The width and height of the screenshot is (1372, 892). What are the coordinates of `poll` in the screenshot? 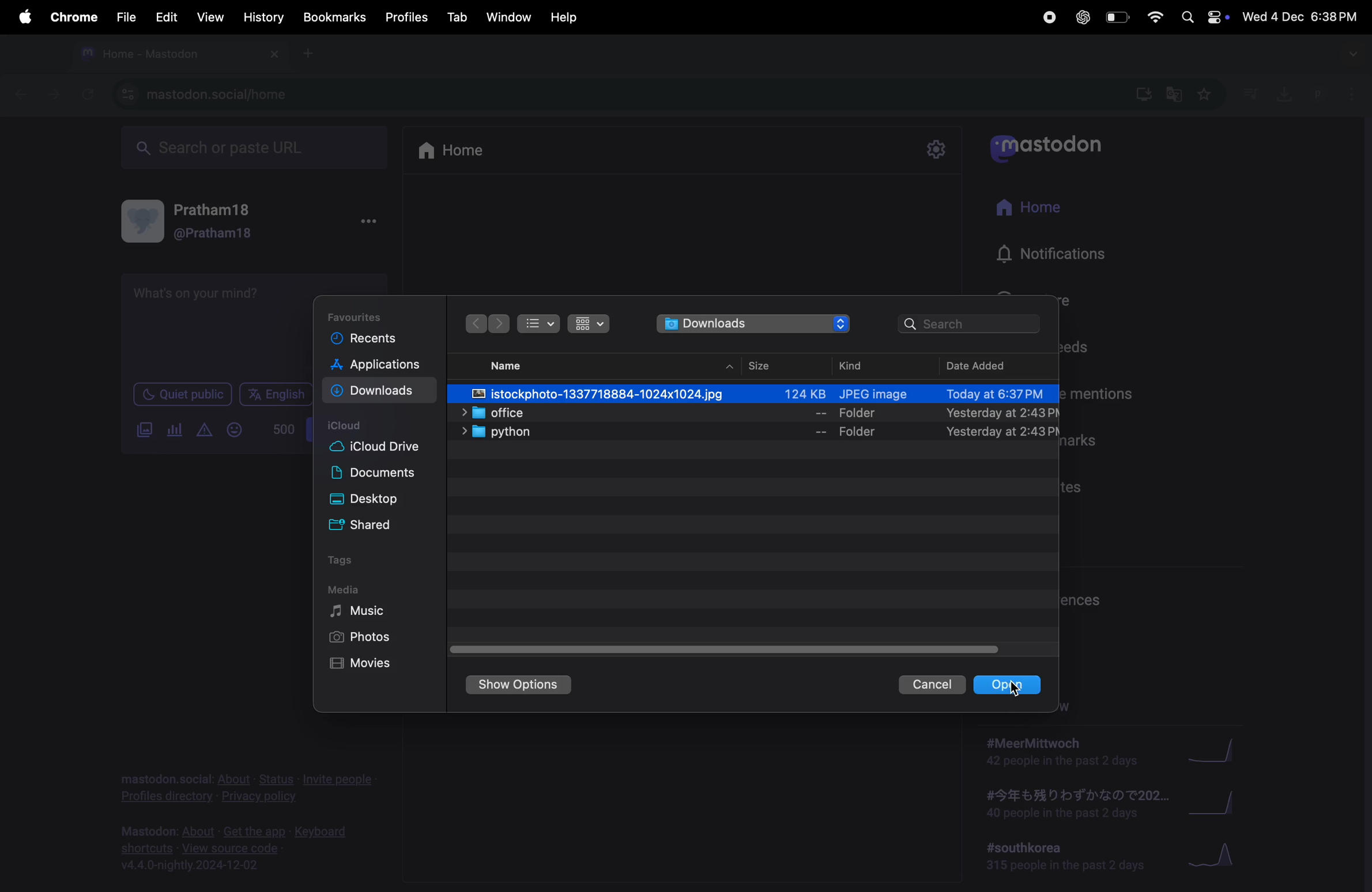 It's located at (172, 430).